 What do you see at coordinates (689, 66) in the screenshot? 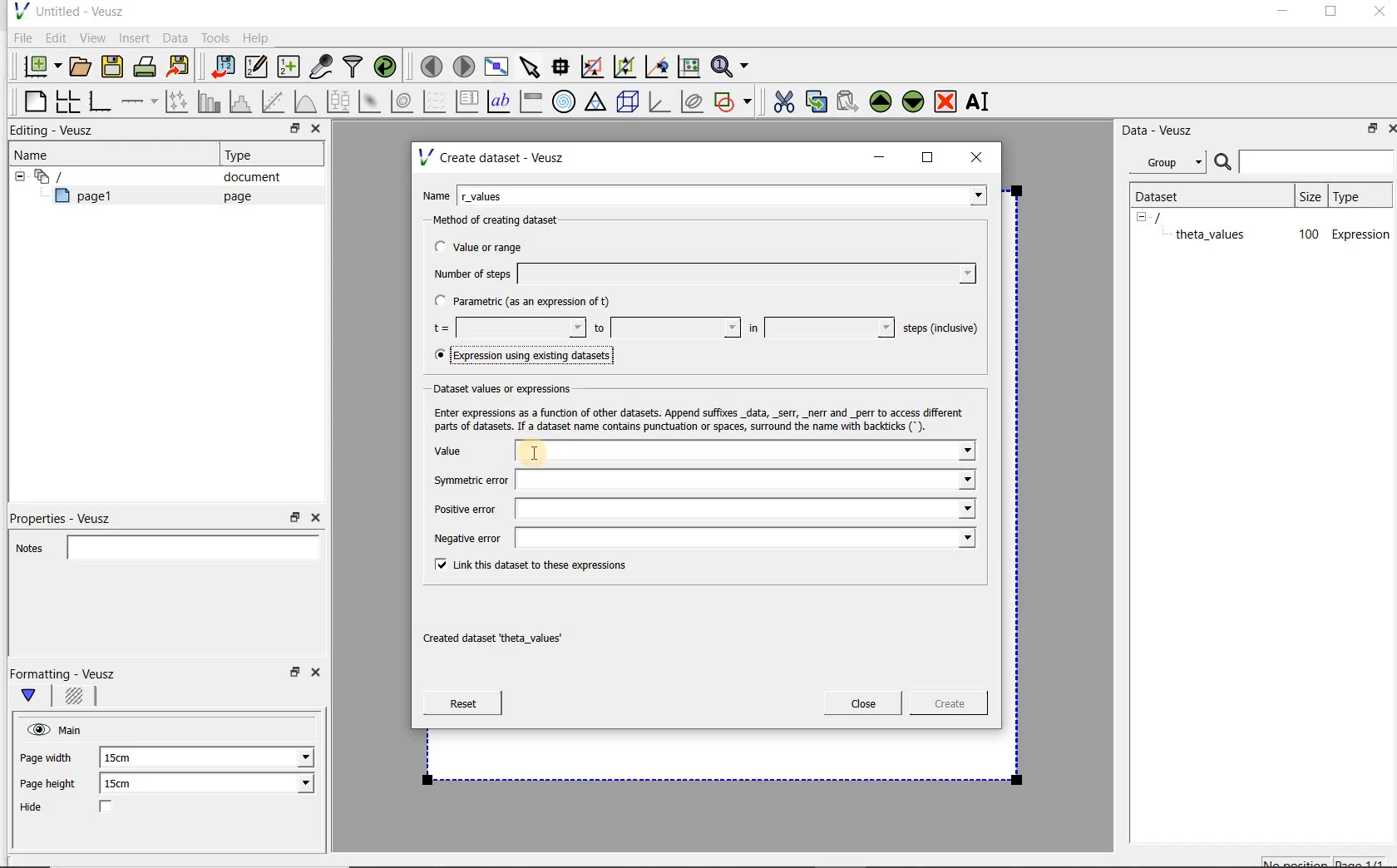
I see `click to reset graph axes` at bounding box center [689, 66].